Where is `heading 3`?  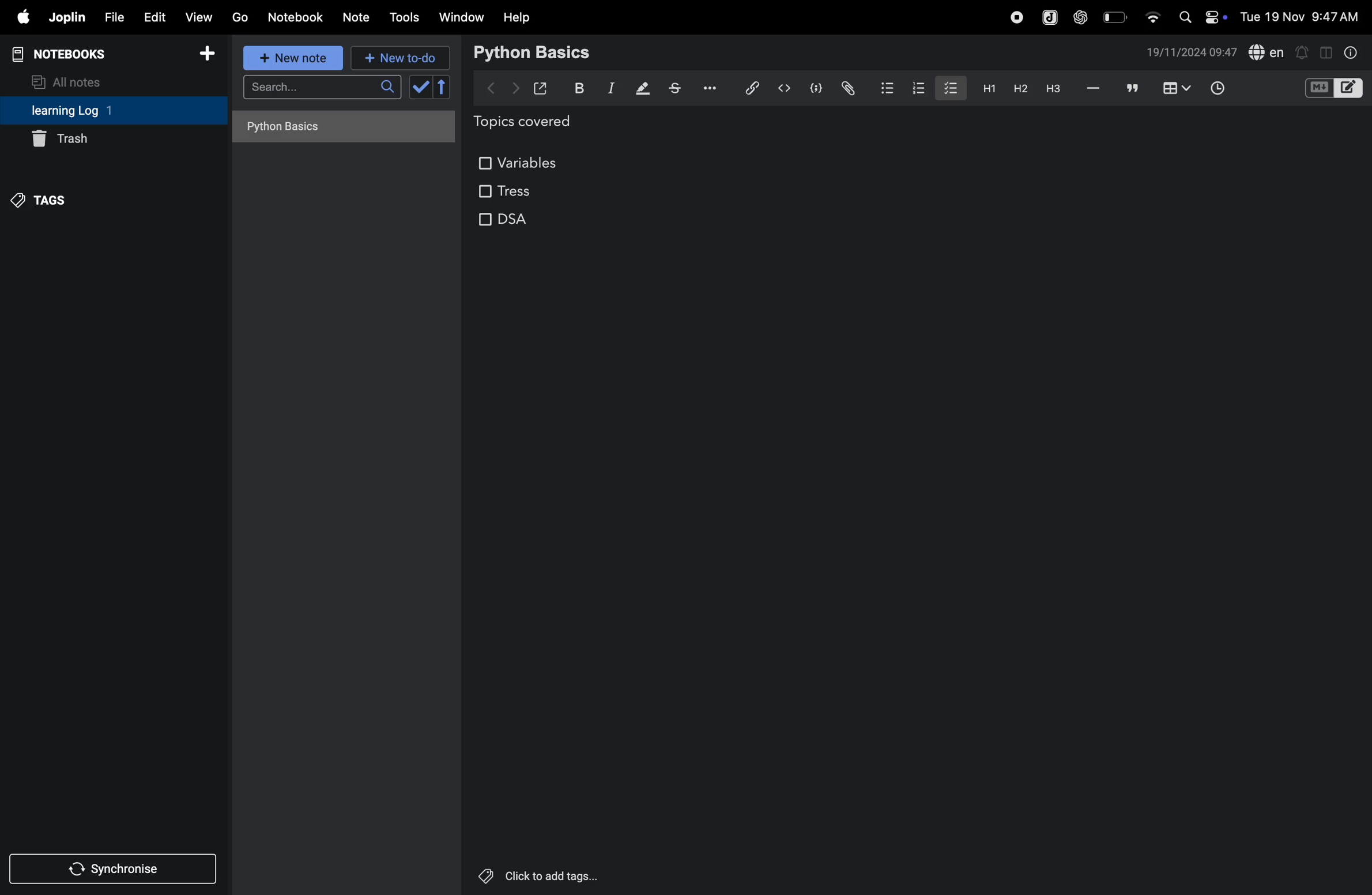 heading 3 is located at coordinates (1053, 89).